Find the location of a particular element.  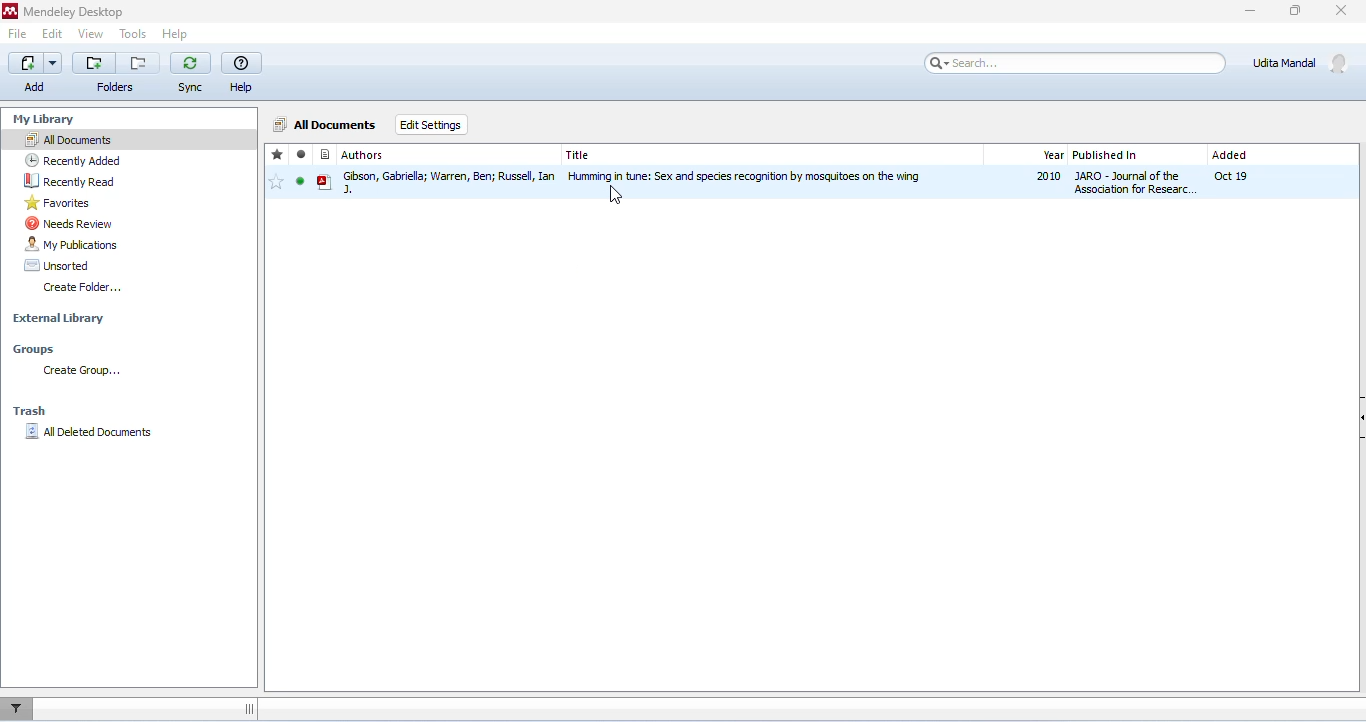

view is located at coordinates (90, 34).